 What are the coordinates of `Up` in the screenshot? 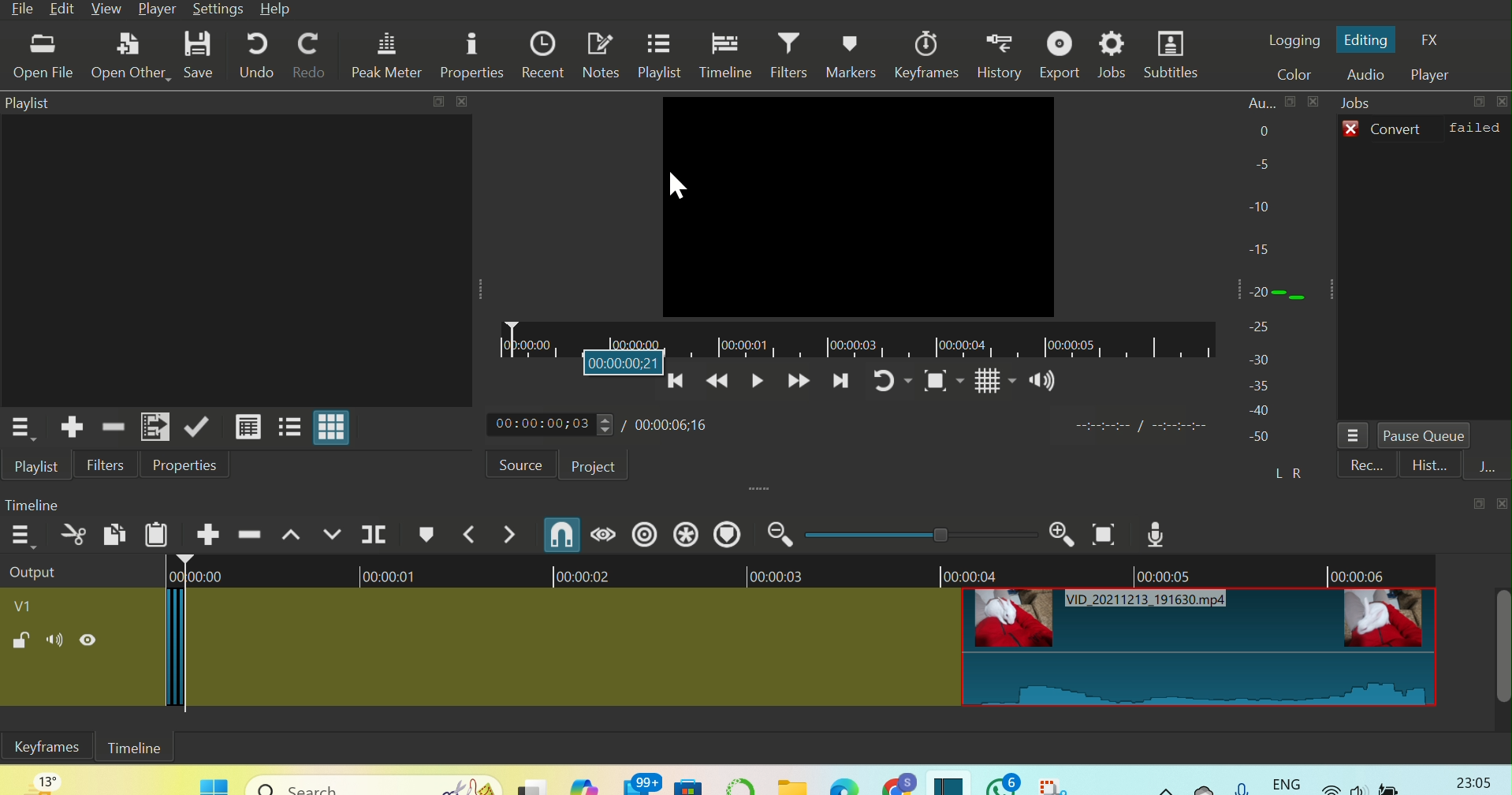 It's located at (287, 532).